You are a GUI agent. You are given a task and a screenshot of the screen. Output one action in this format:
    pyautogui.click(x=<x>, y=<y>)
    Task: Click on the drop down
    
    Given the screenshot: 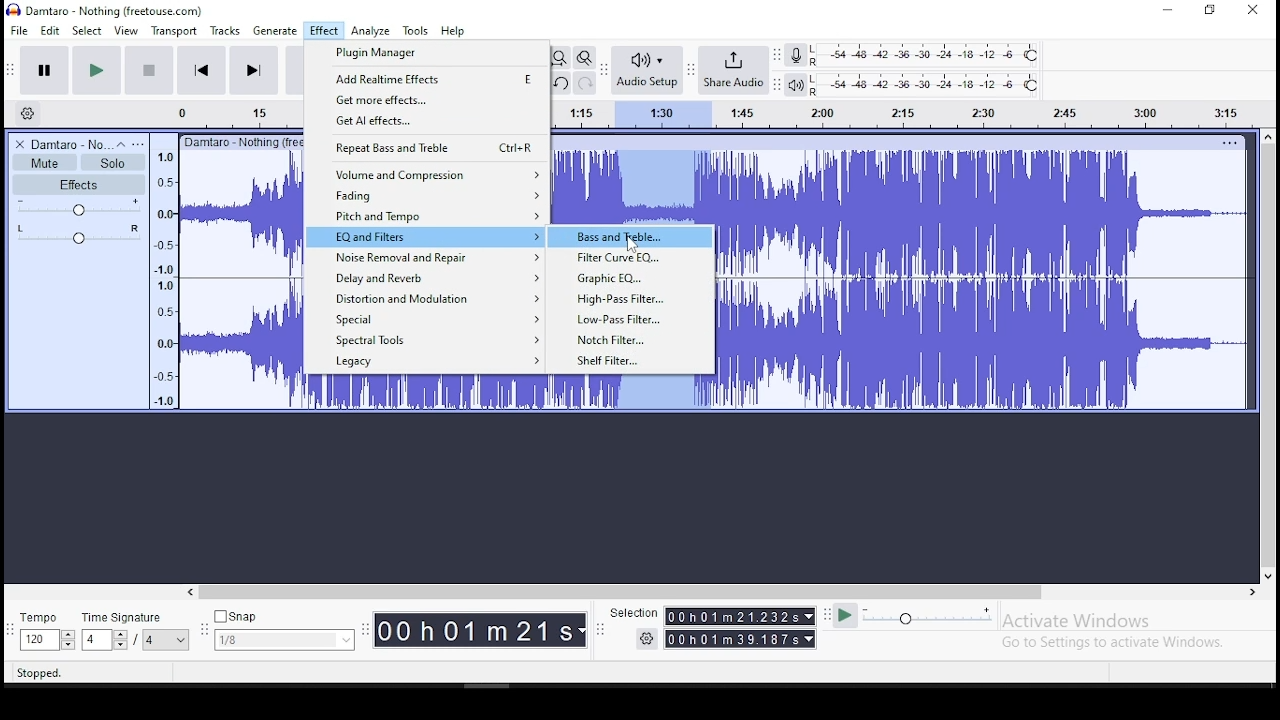 What is the action you would take?
    pyautogui.click(x=807, y=616)
    